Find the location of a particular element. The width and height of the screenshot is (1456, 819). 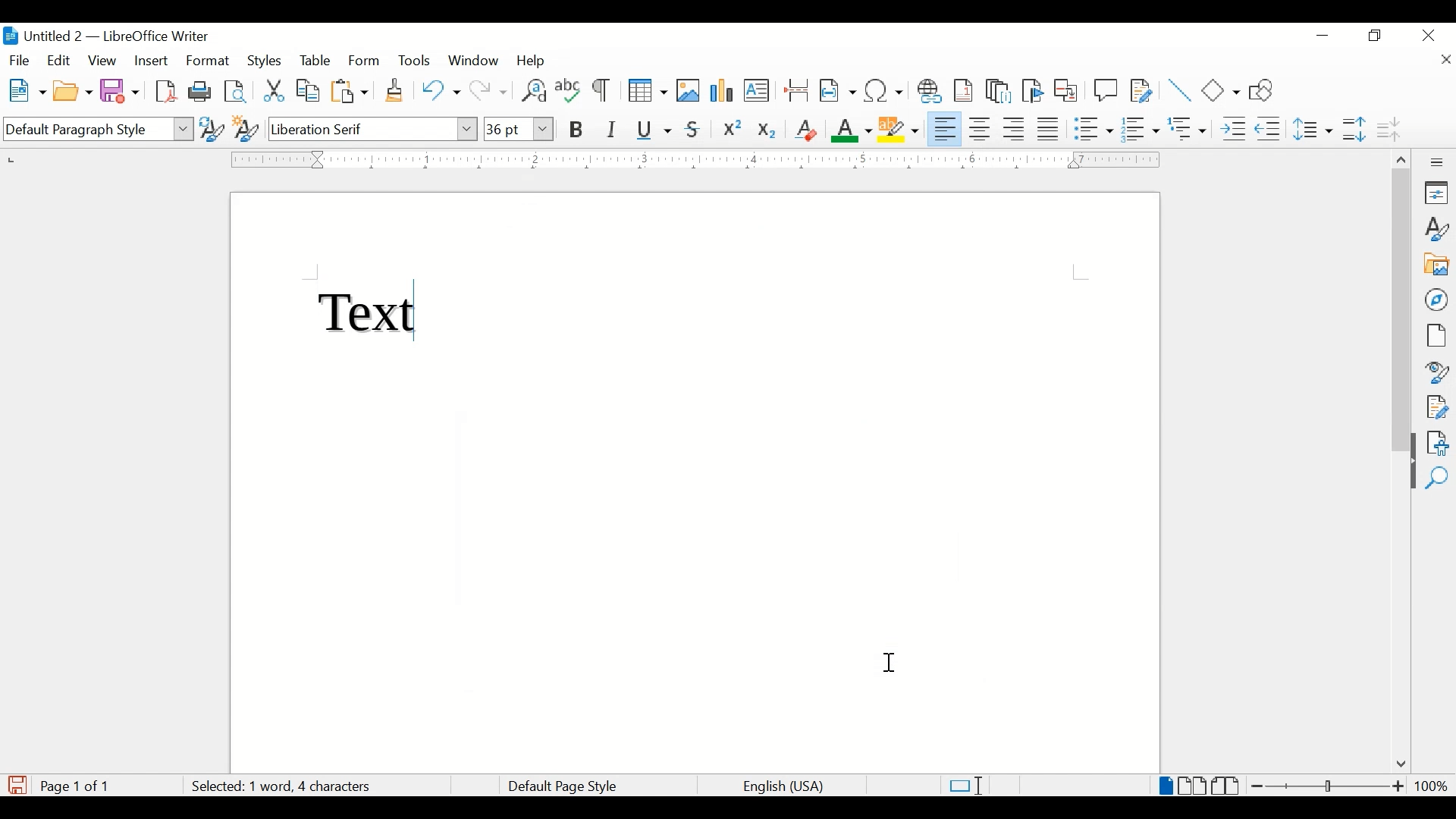

shadow effect applied to text is located at coordinates (370, 315).